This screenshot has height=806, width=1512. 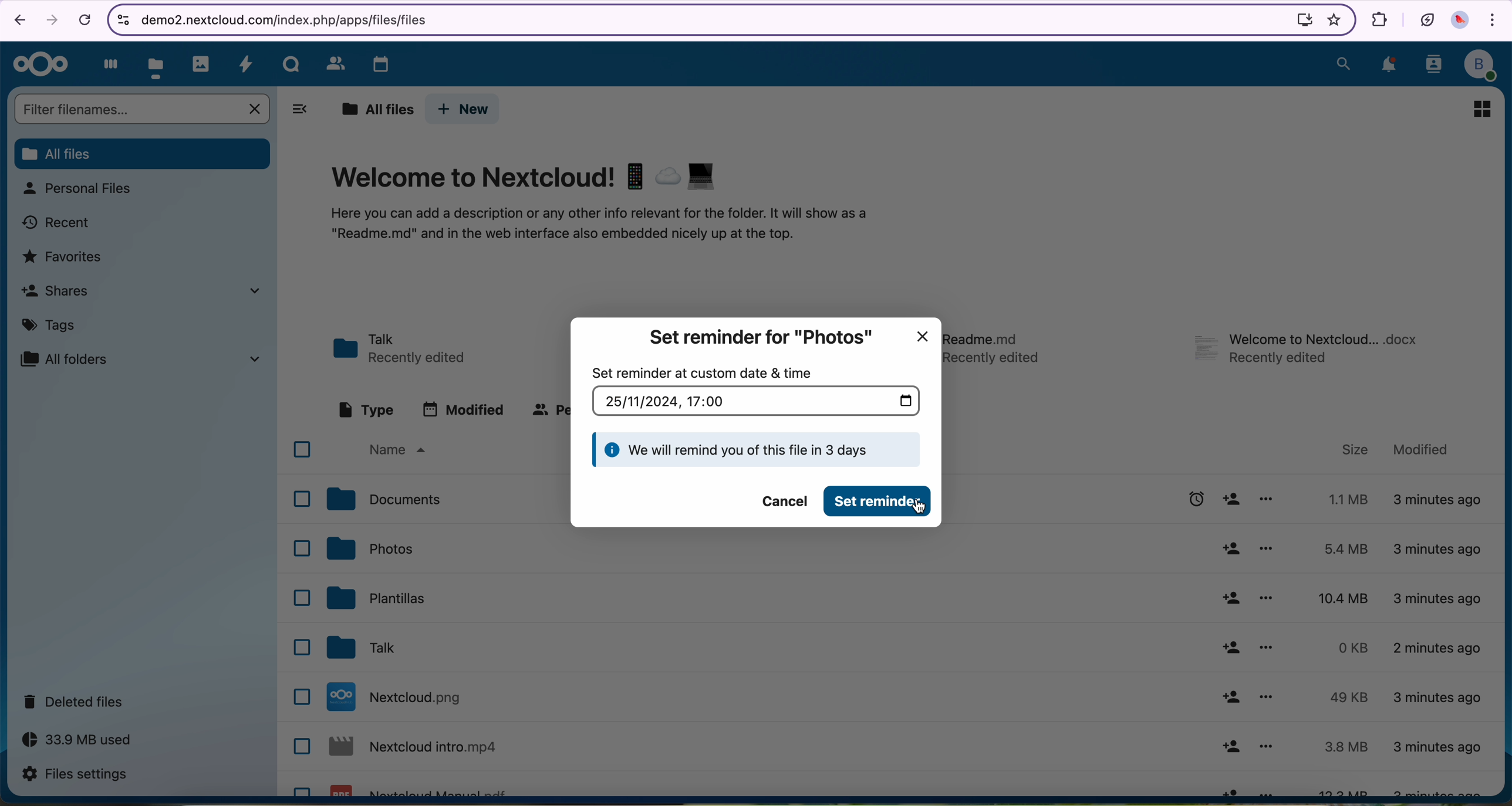 What do you see at coordinates (927, 331) in the screenshot?
I see `close` at bounding box center [927, 331].